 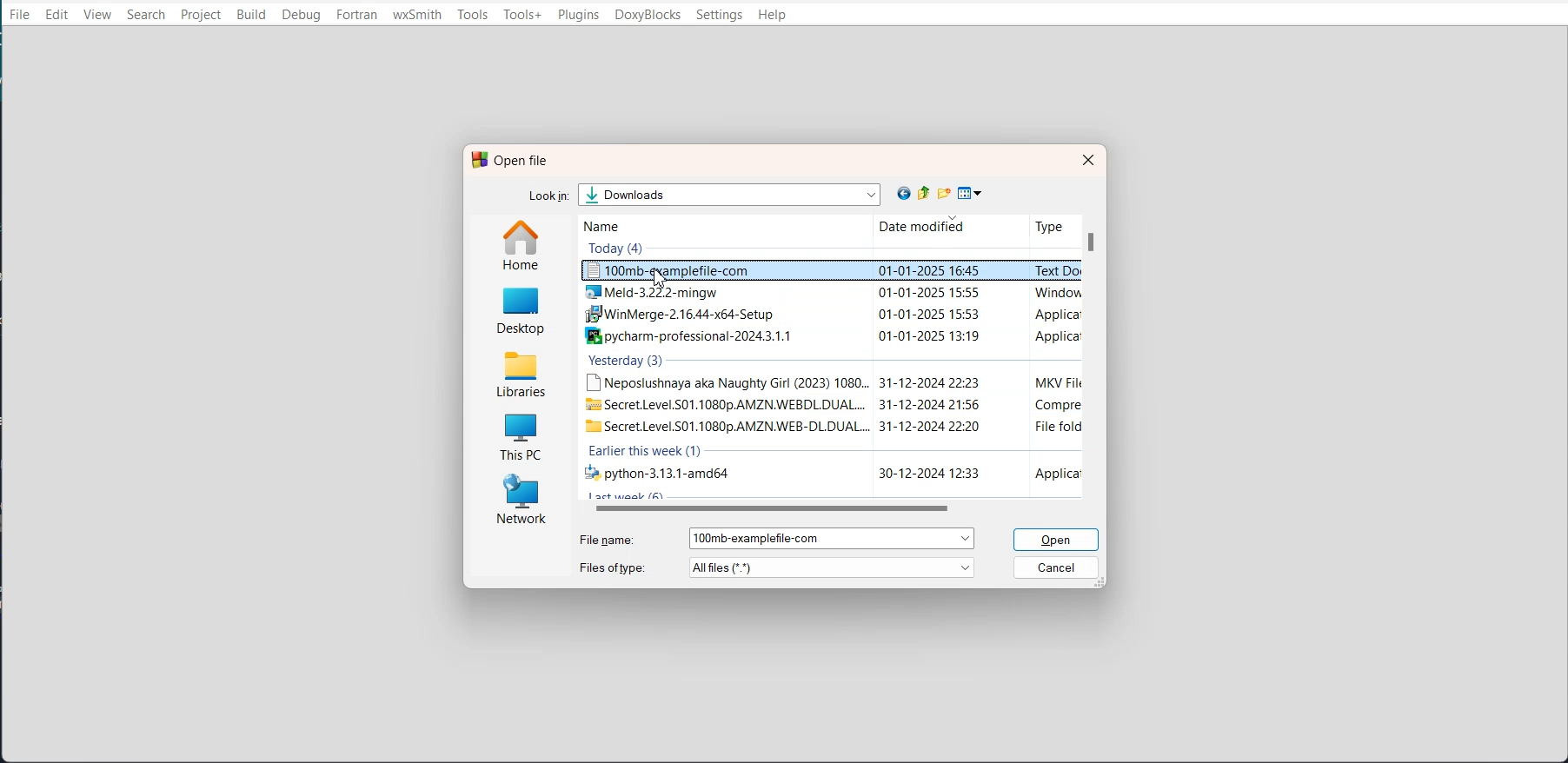 I want to click on Home, so click(x=523, y=244).